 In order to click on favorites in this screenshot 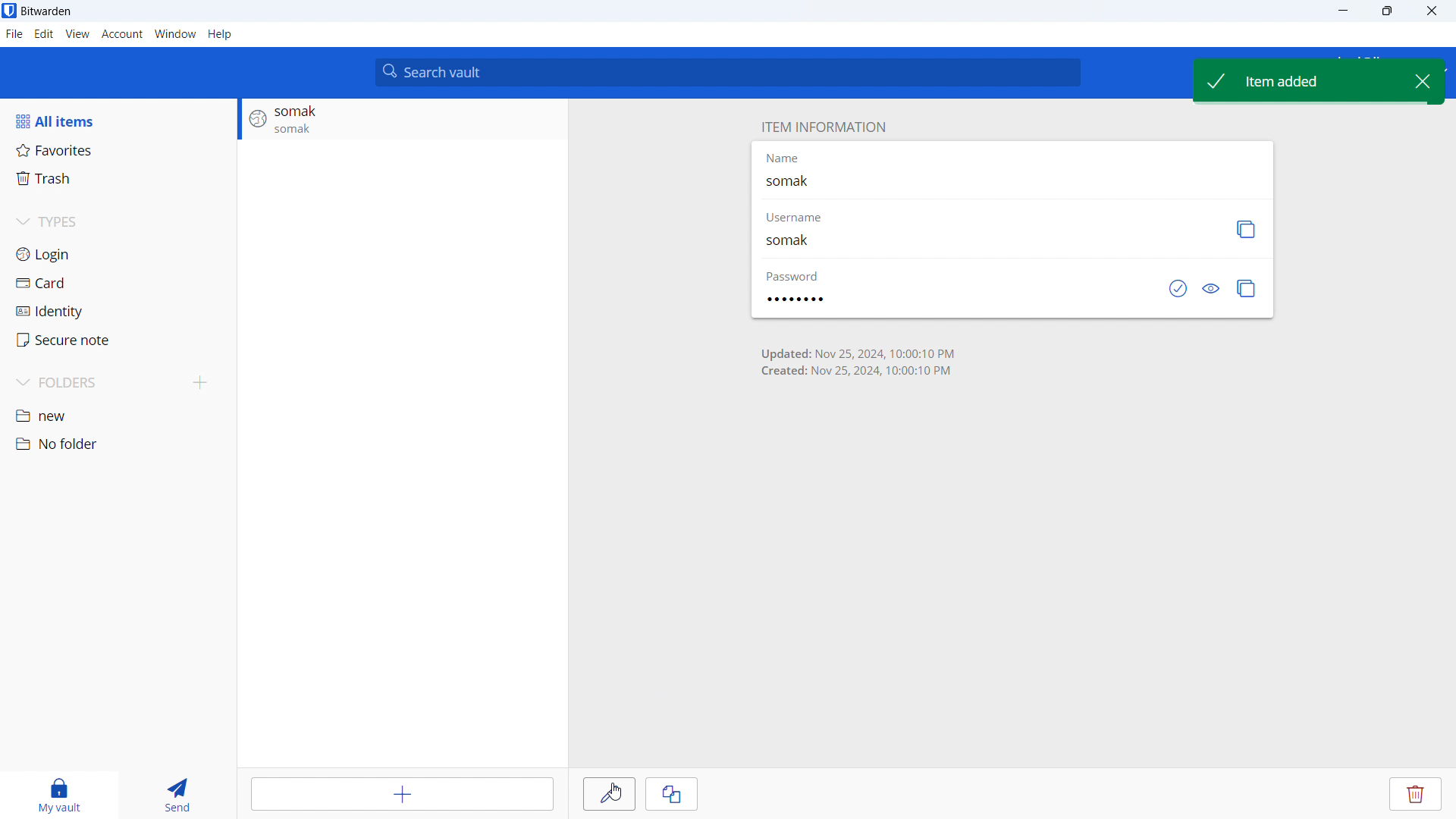, I will do `click(118, 149)`.